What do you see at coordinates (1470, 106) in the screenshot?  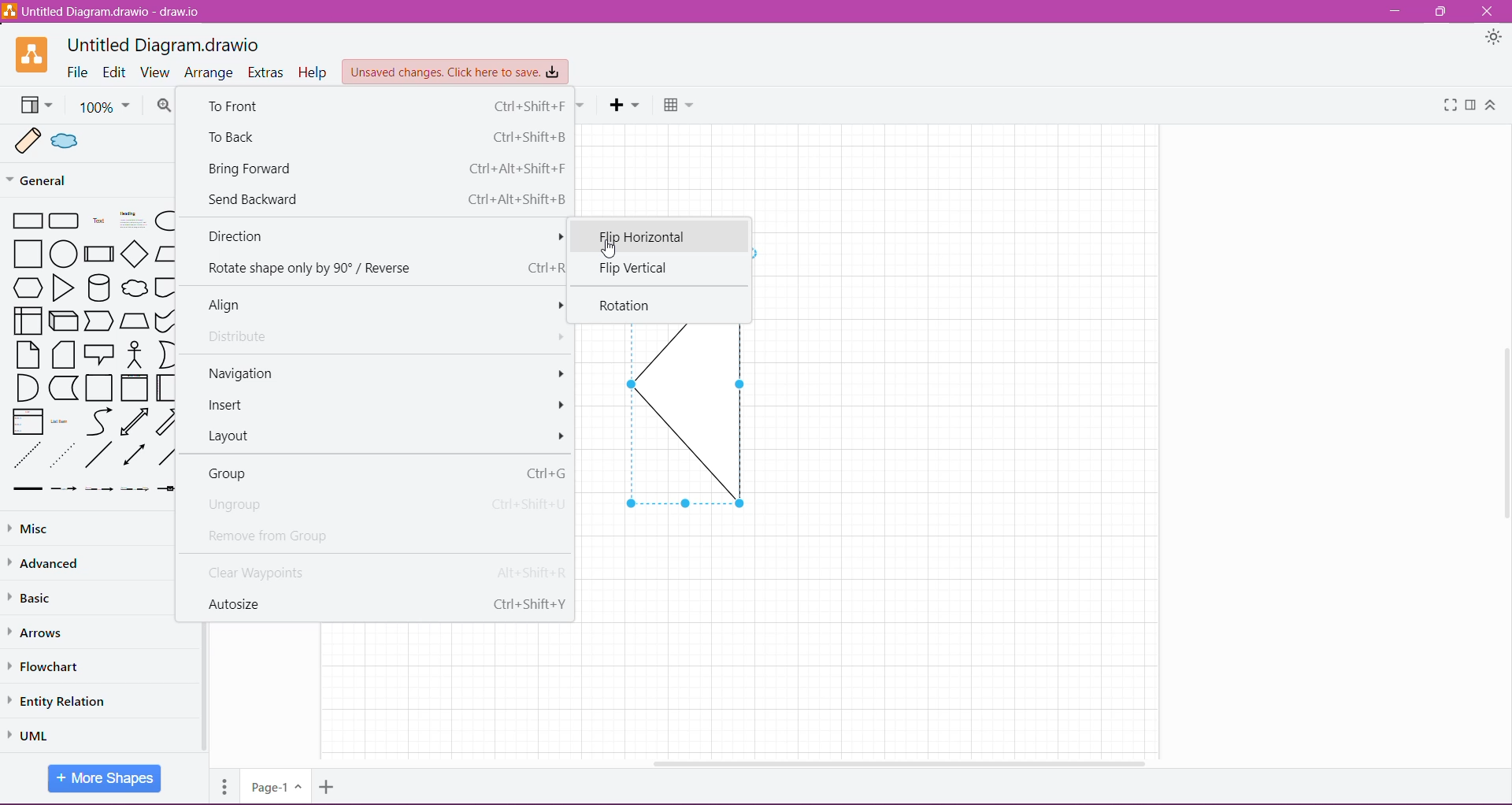 I see `Format` at bounding box center [1470, 106].